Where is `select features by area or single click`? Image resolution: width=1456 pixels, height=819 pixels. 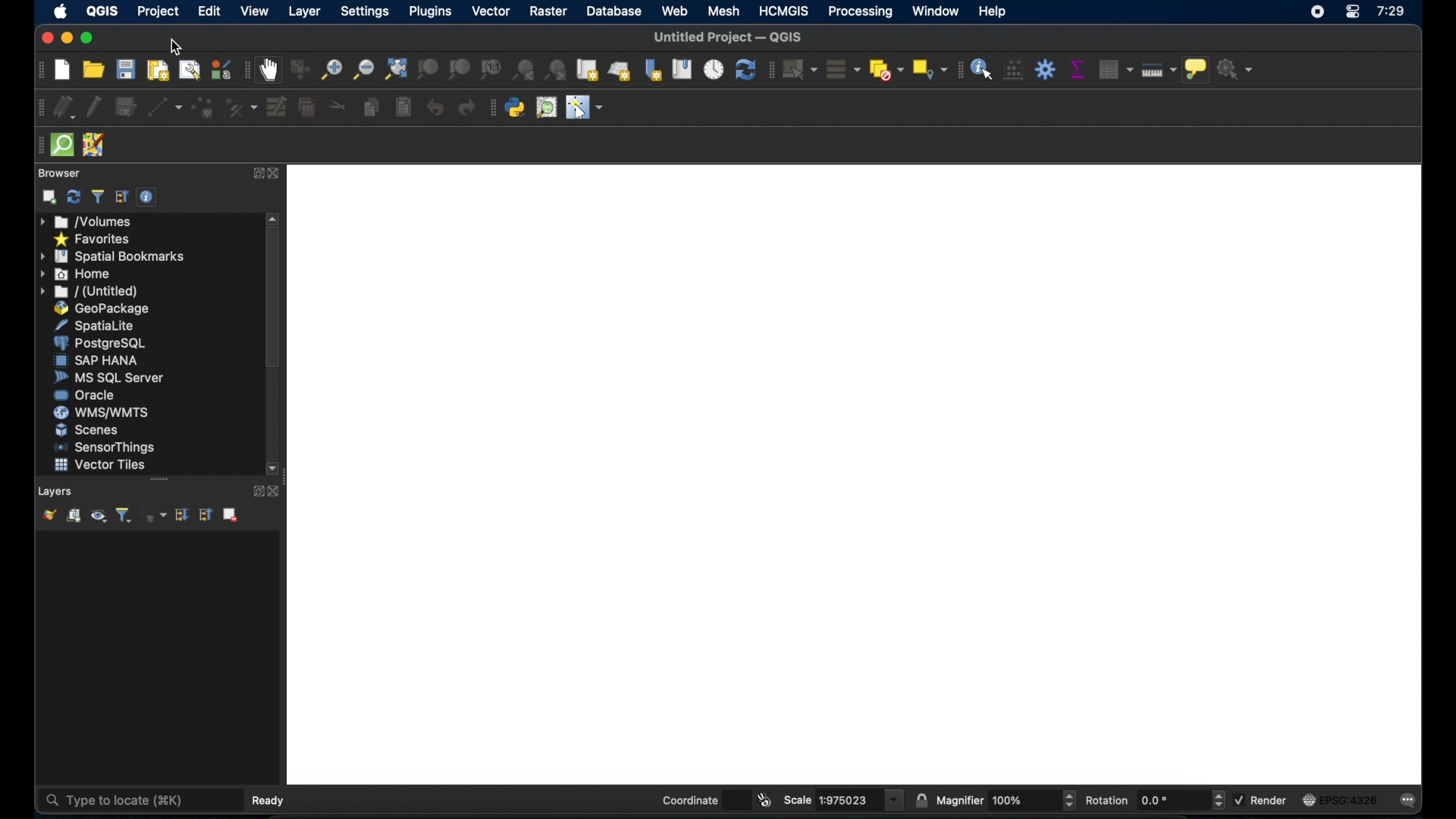 select features by area or single click is located at coordinates (799, 70).